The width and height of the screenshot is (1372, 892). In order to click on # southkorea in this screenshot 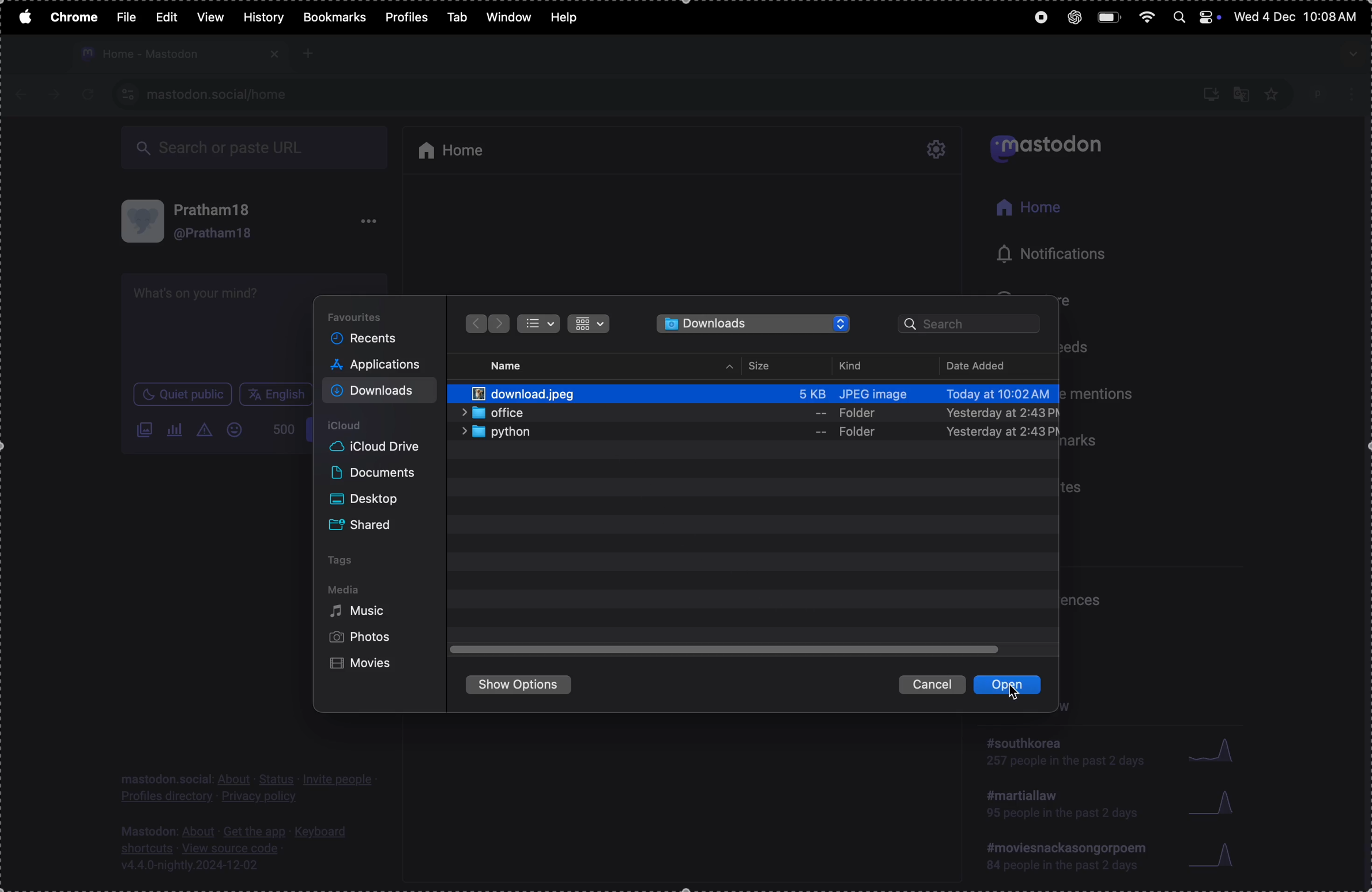, I will do `click(1064, 756)`.